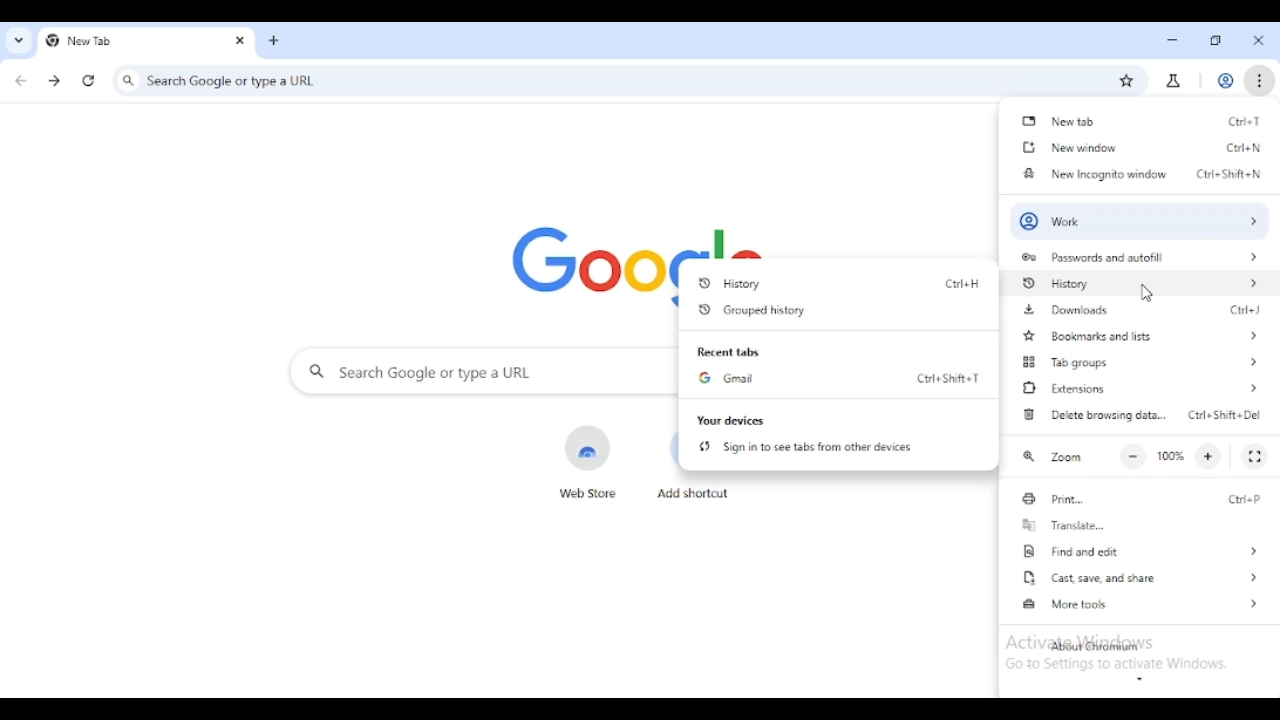 This screenshot has width=1280, height=720. Describe the element at coordinates (1092, 413) in the screenshot. I see `delete browsing data` at that location.